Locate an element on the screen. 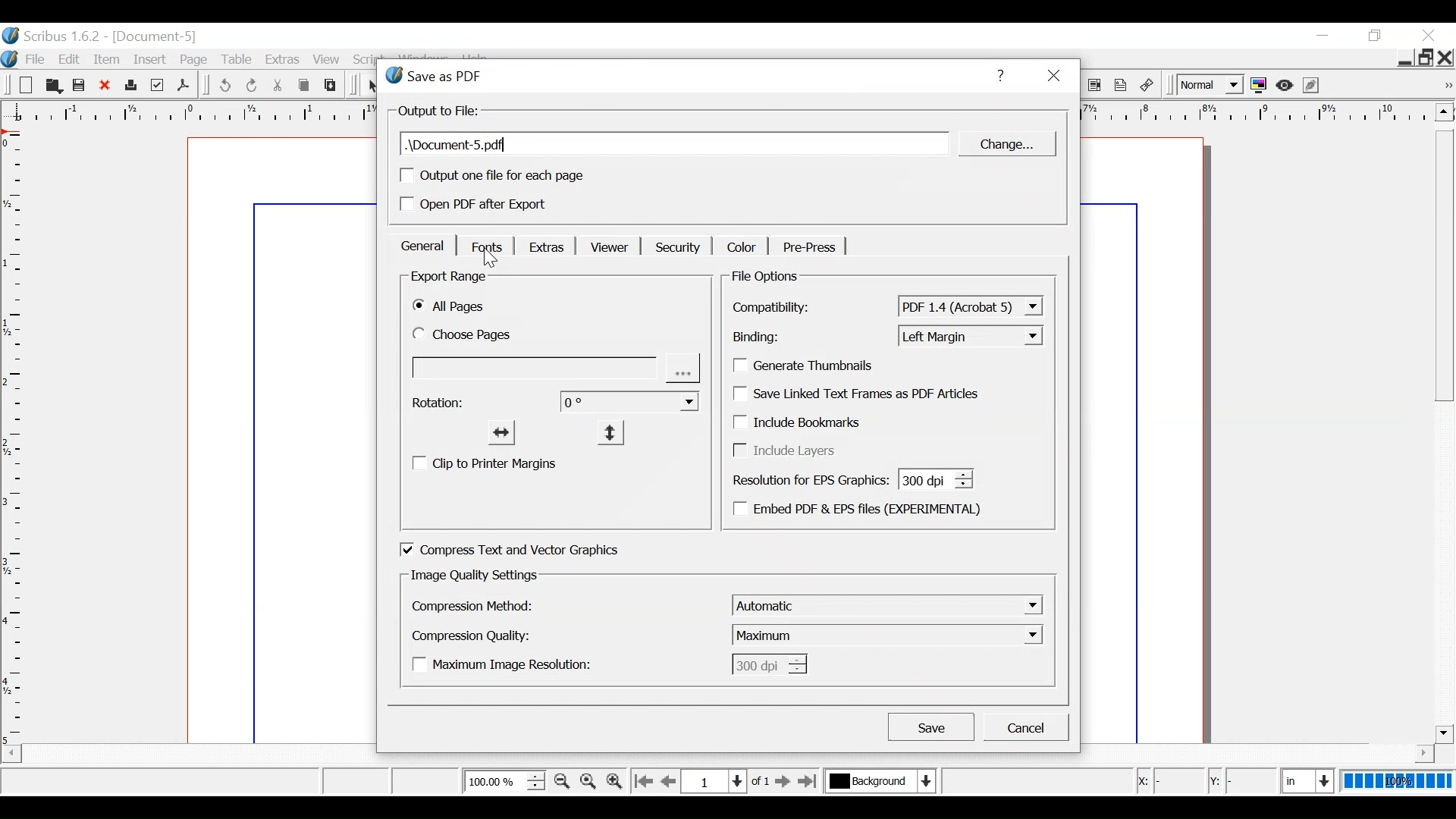  Edit in Preview mode is located at coordinates (1313, 85).